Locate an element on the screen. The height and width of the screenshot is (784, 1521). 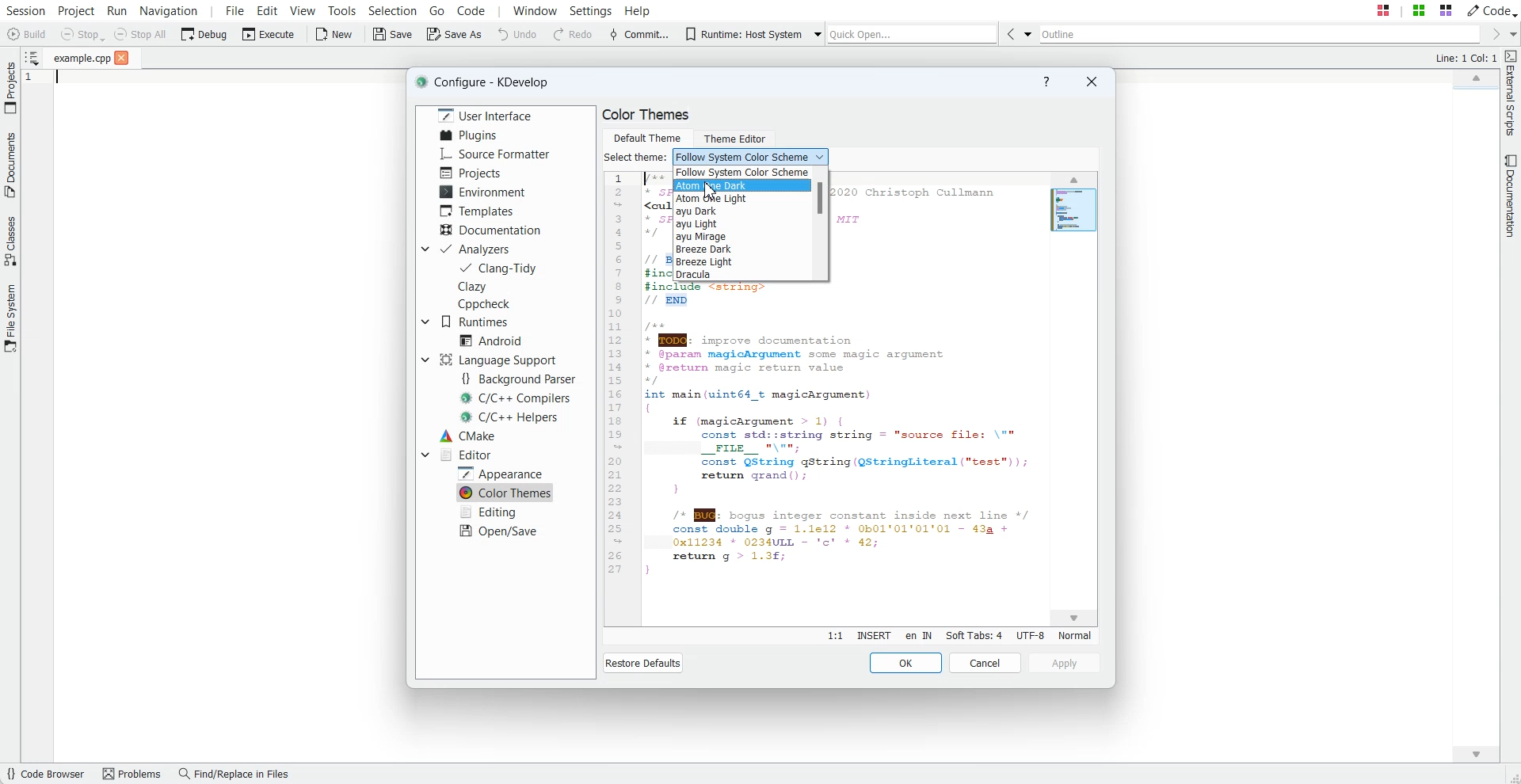
Follow system color scheme is located at coordinates (742, 171).